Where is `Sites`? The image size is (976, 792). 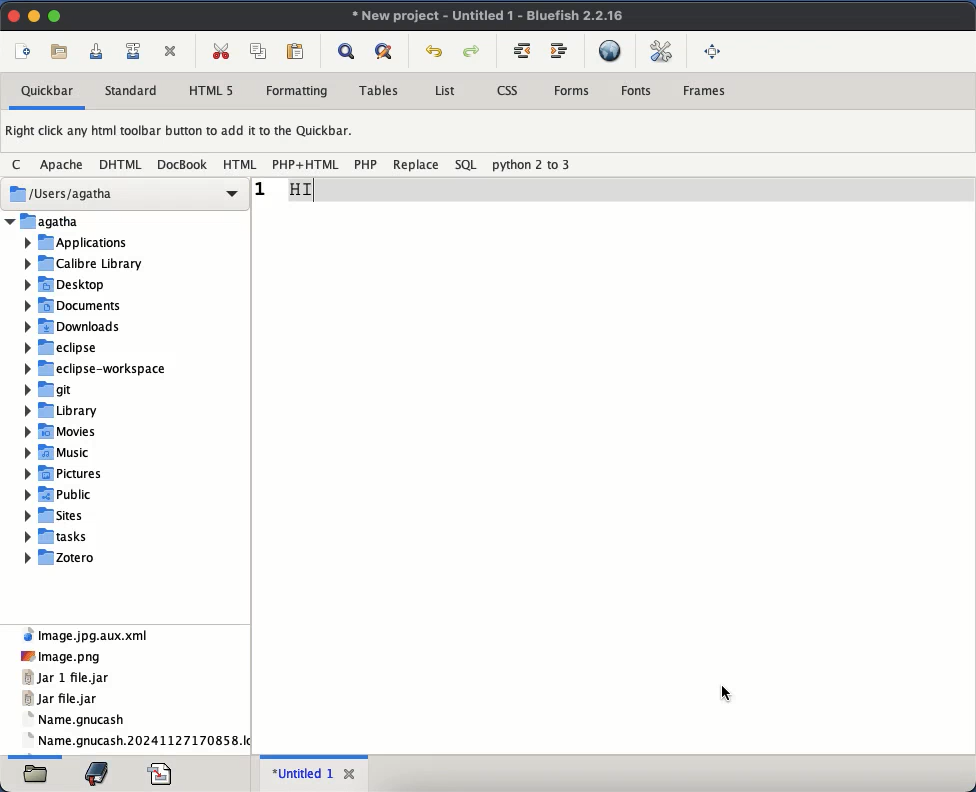
Sites is located at coordinates (52, 515).